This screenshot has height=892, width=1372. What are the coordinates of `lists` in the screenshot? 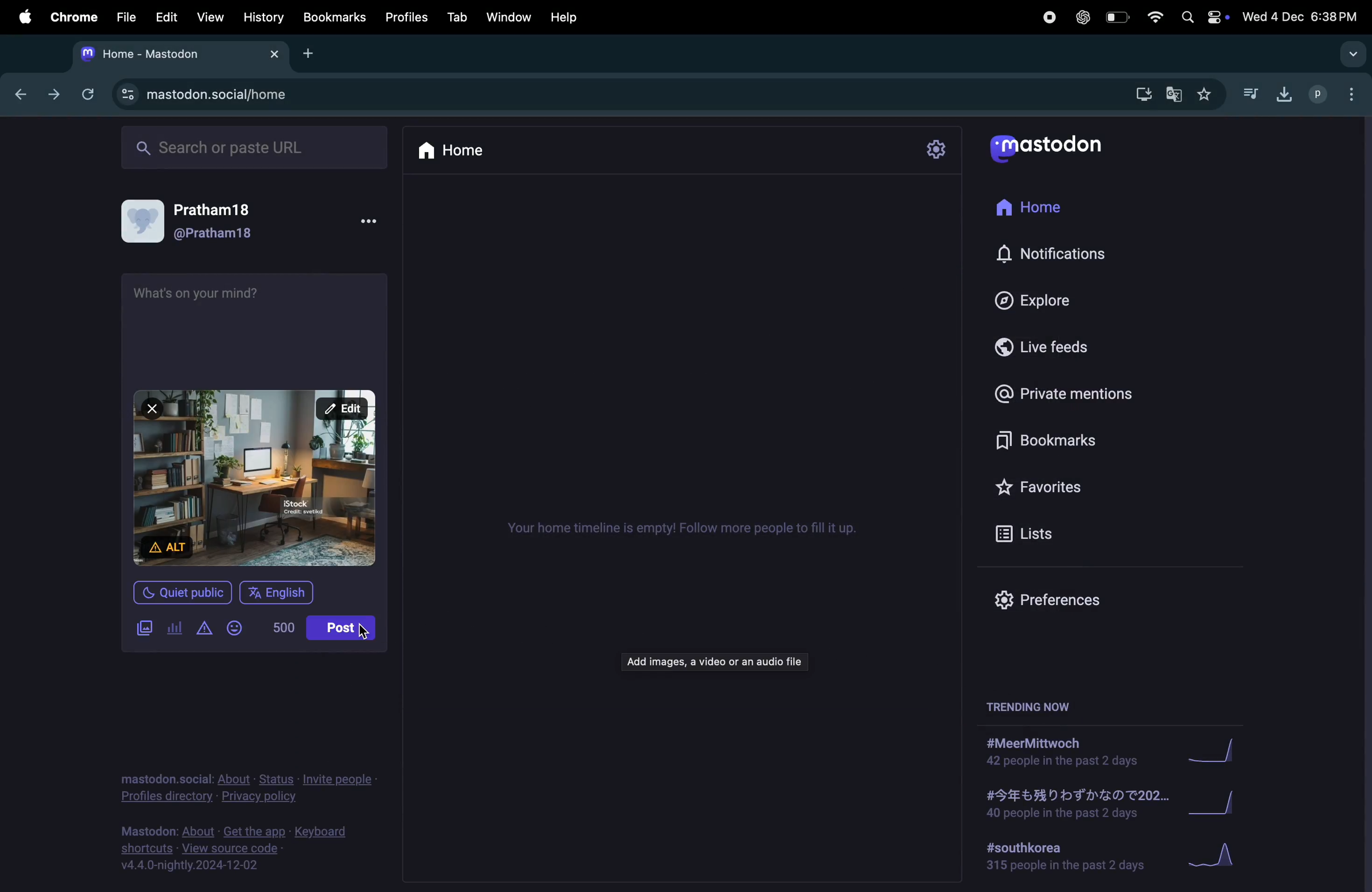 It's located at (1036, 536).